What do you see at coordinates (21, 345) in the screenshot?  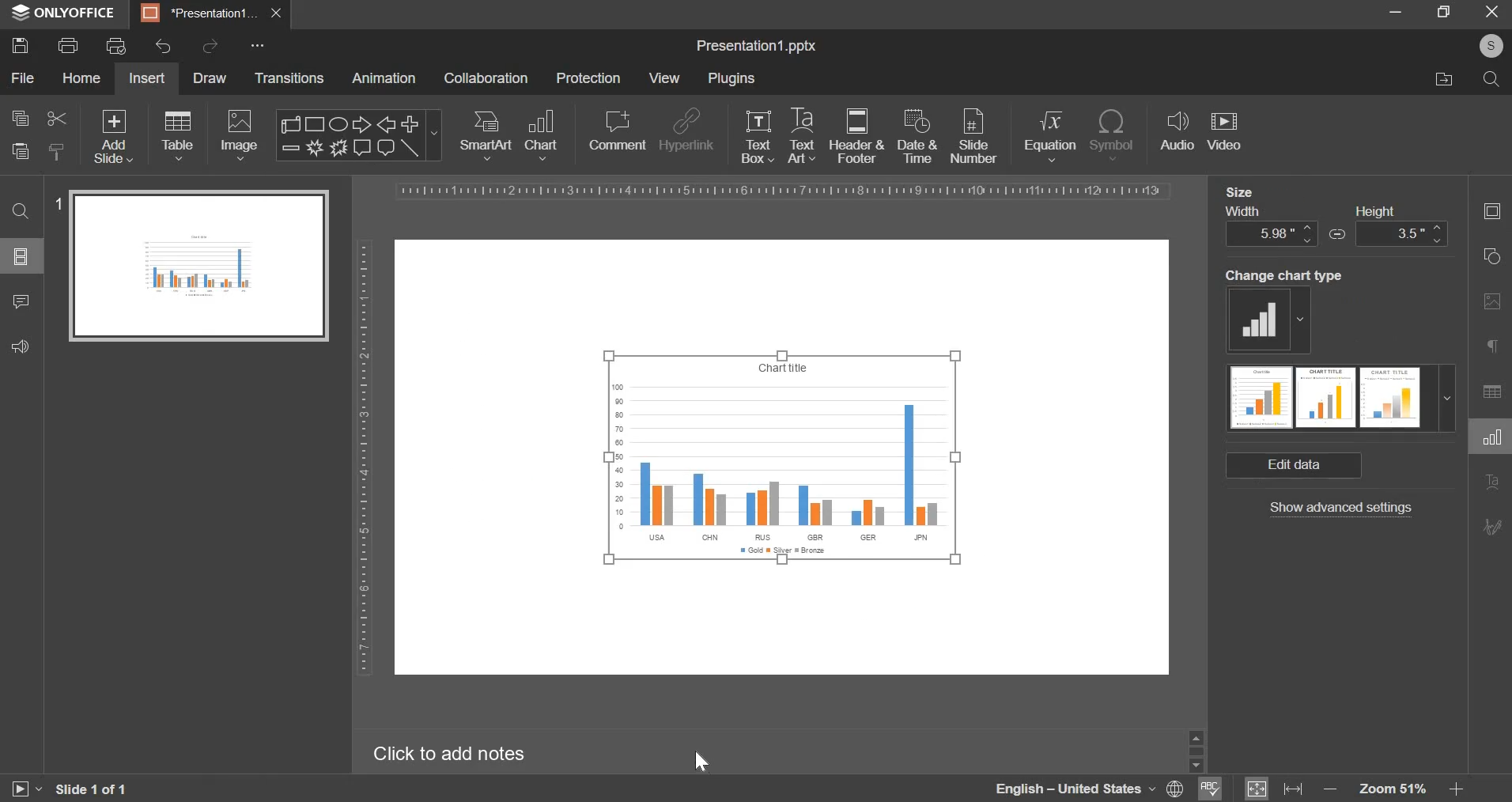 I see `feedback` at bounding box center [21, 345].